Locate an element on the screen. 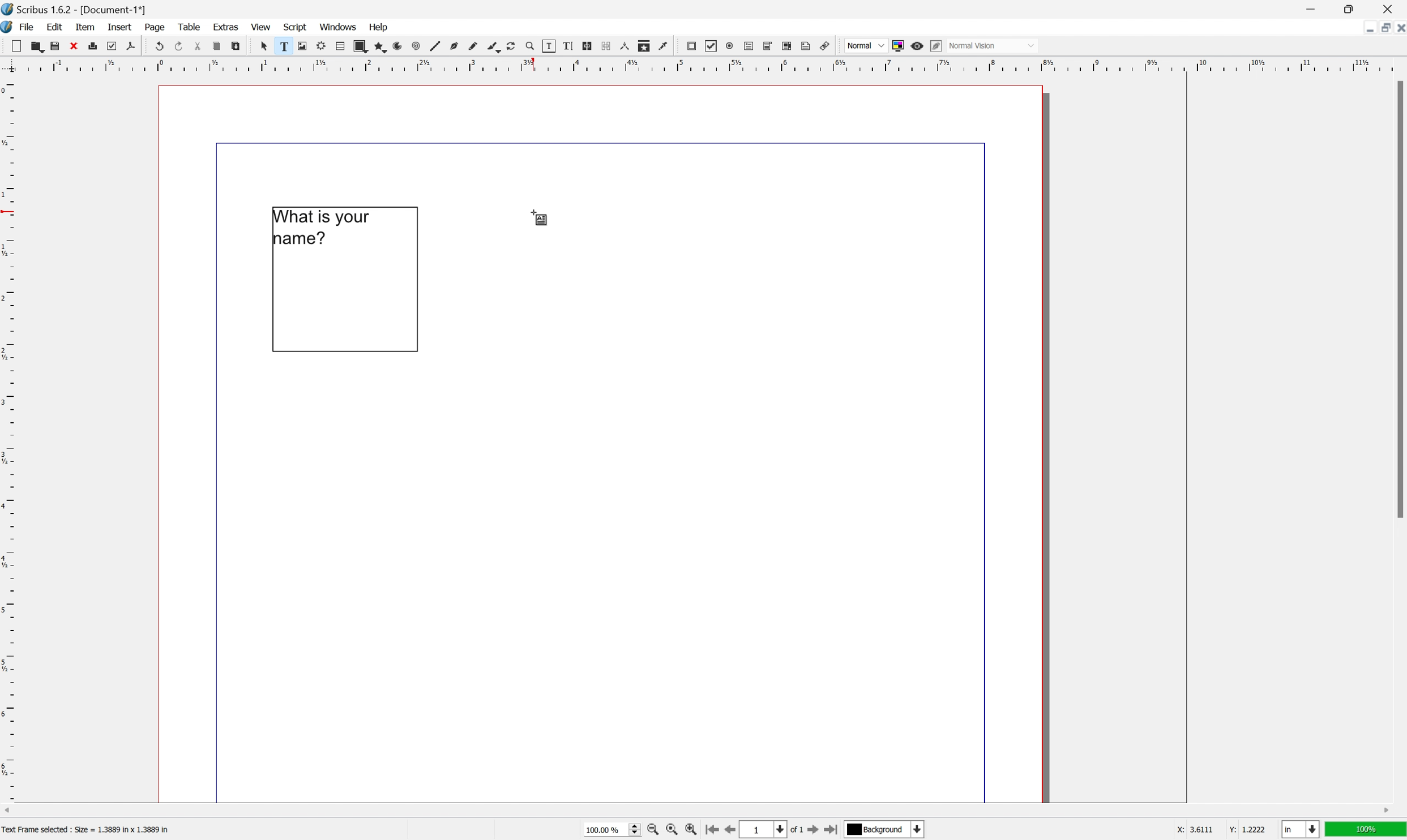 The width and height of the screenshot is (1407, 840). restore down is located at coordinates (1353, 8).